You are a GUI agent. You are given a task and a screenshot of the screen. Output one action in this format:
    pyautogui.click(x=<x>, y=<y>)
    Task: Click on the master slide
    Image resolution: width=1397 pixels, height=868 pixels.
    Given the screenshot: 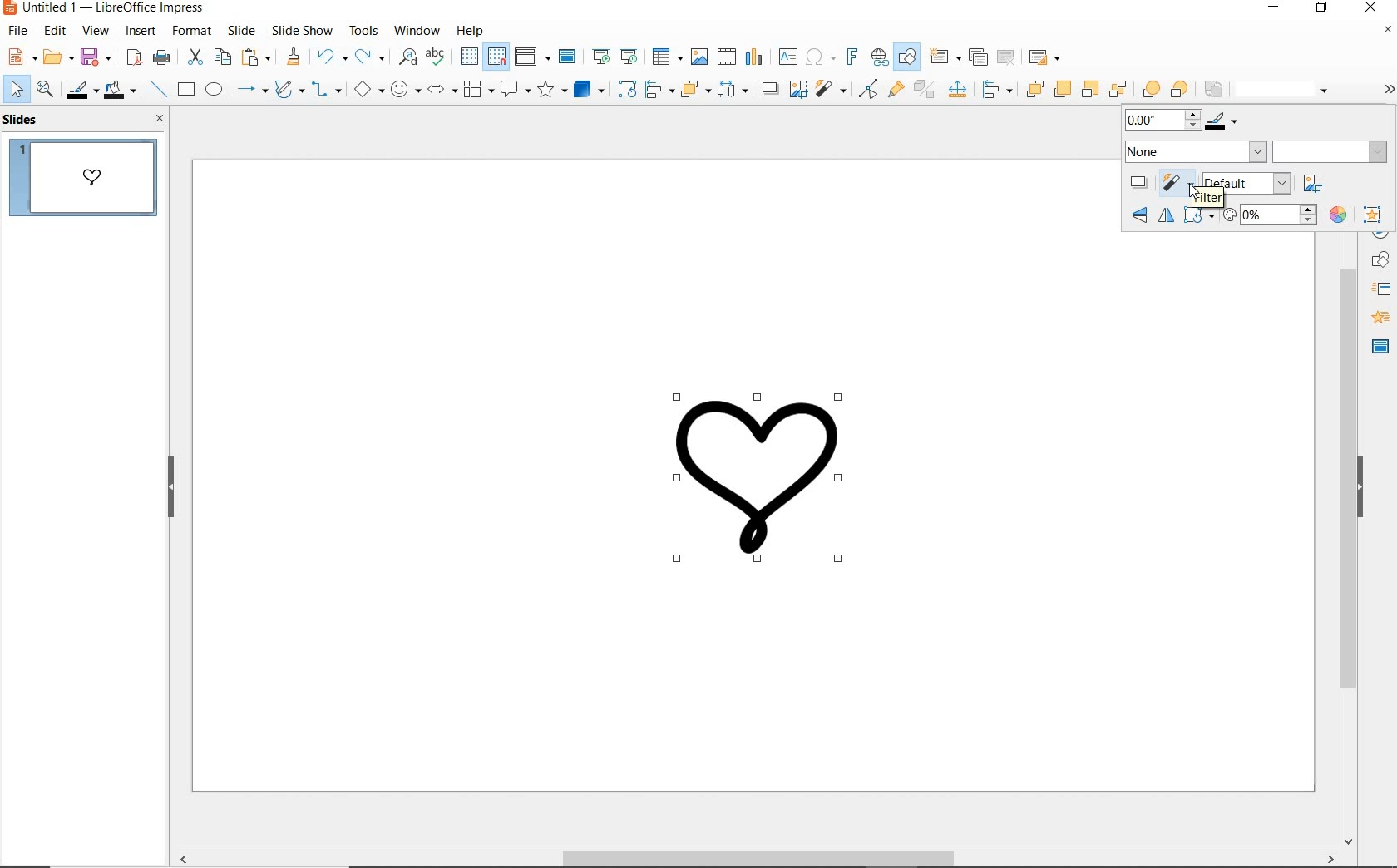 What is the action you would take?
    pyautogui.click(x=568, y=57)
    